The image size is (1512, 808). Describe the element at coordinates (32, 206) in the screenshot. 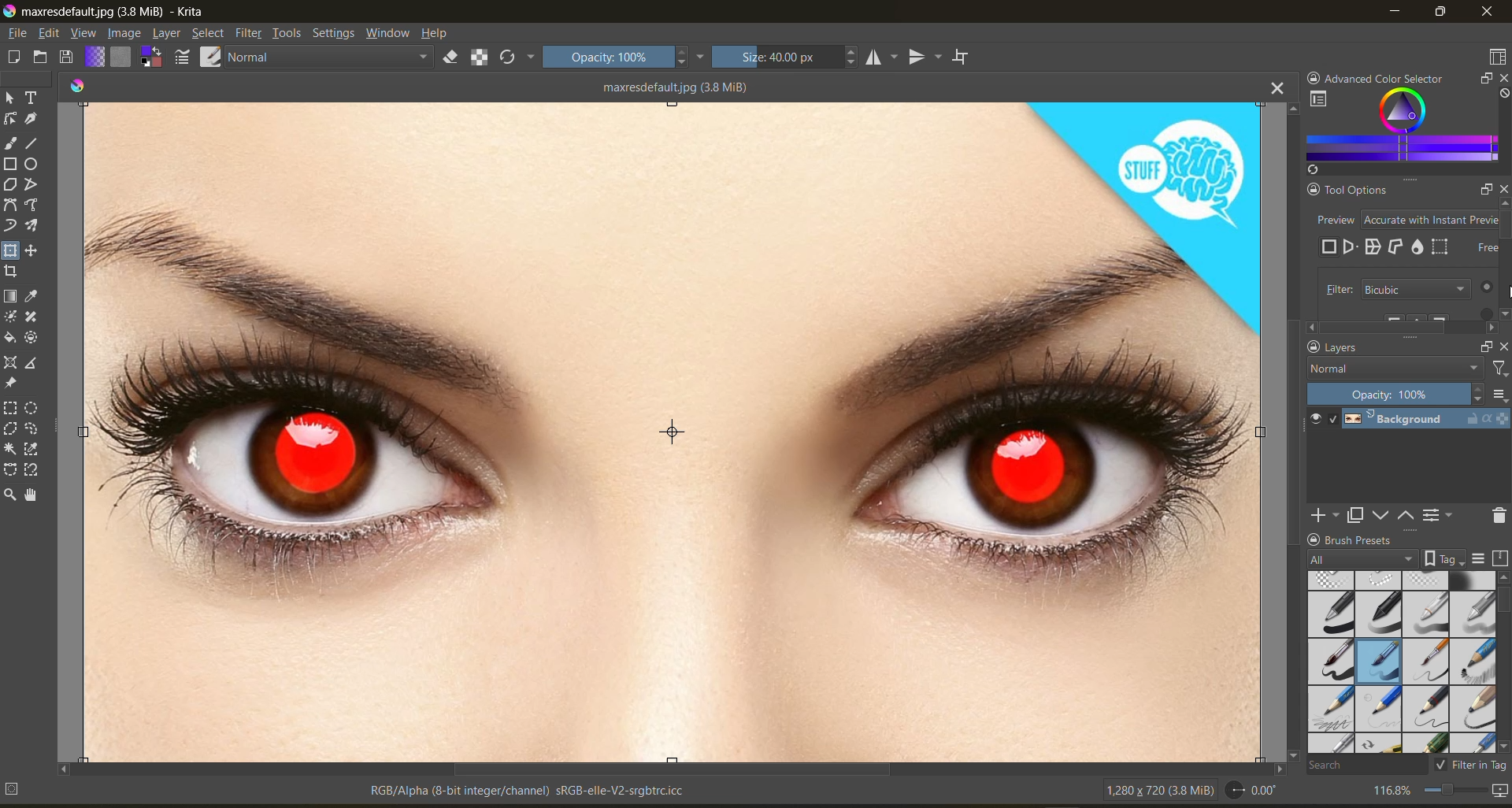

I see `tool` at that location.